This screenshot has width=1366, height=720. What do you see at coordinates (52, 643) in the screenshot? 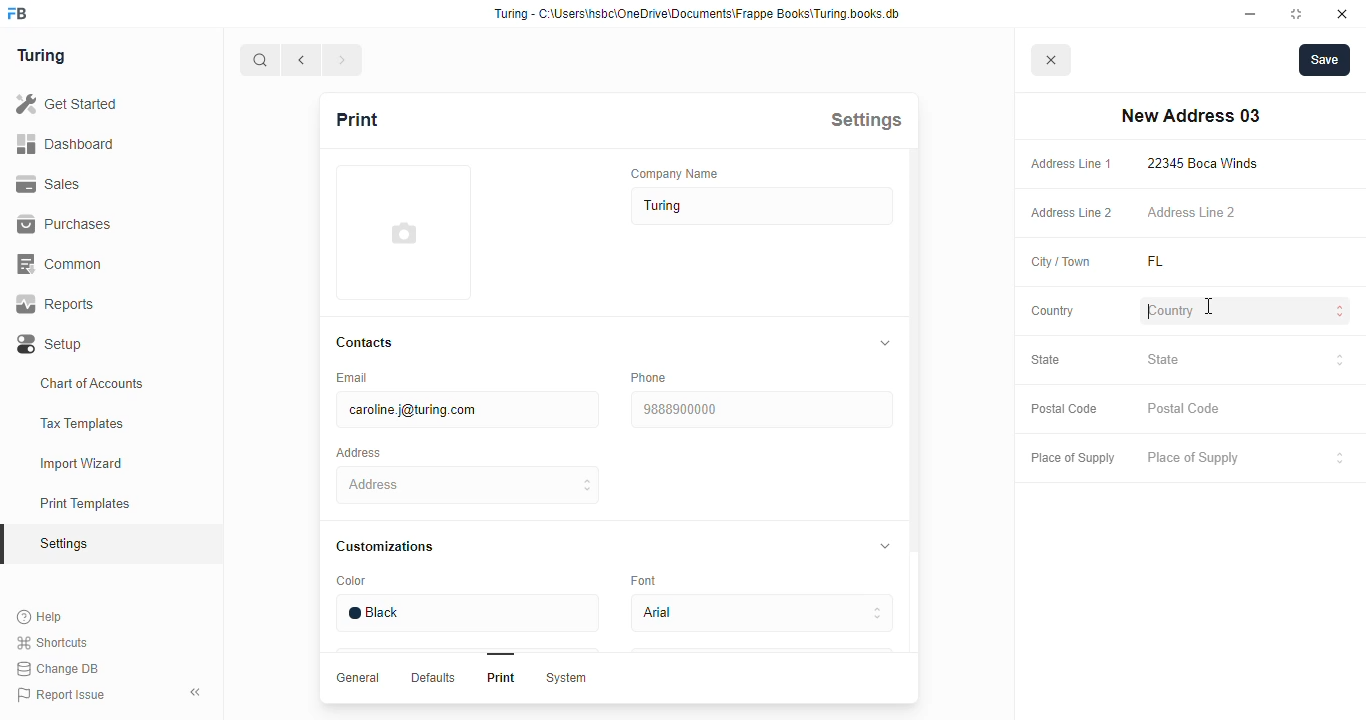
I see `shortcuts` at bounding box center [52, 643].